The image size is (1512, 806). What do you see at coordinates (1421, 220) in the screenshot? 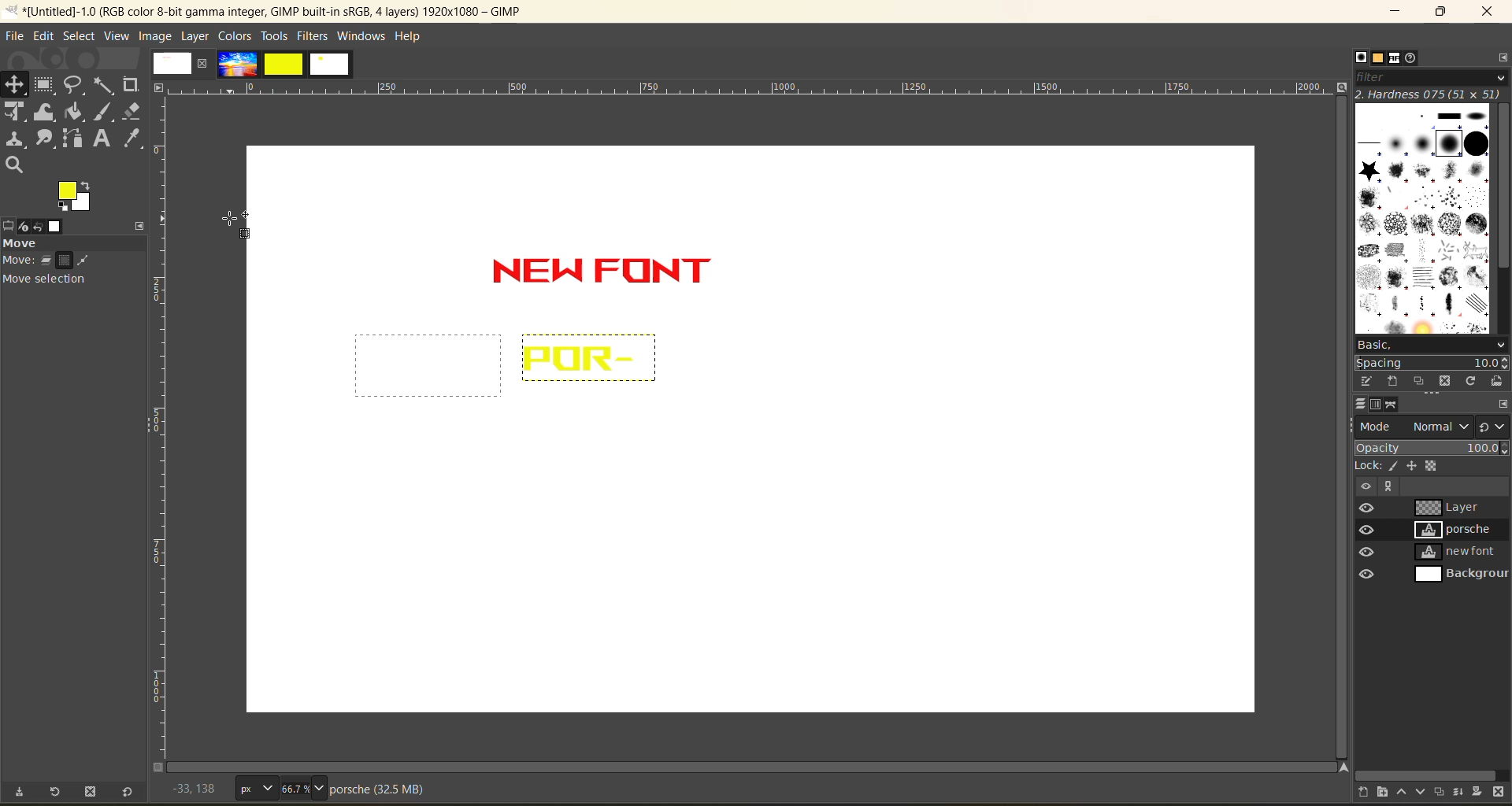
I see `brushes` at bounding box center [1421, 220].